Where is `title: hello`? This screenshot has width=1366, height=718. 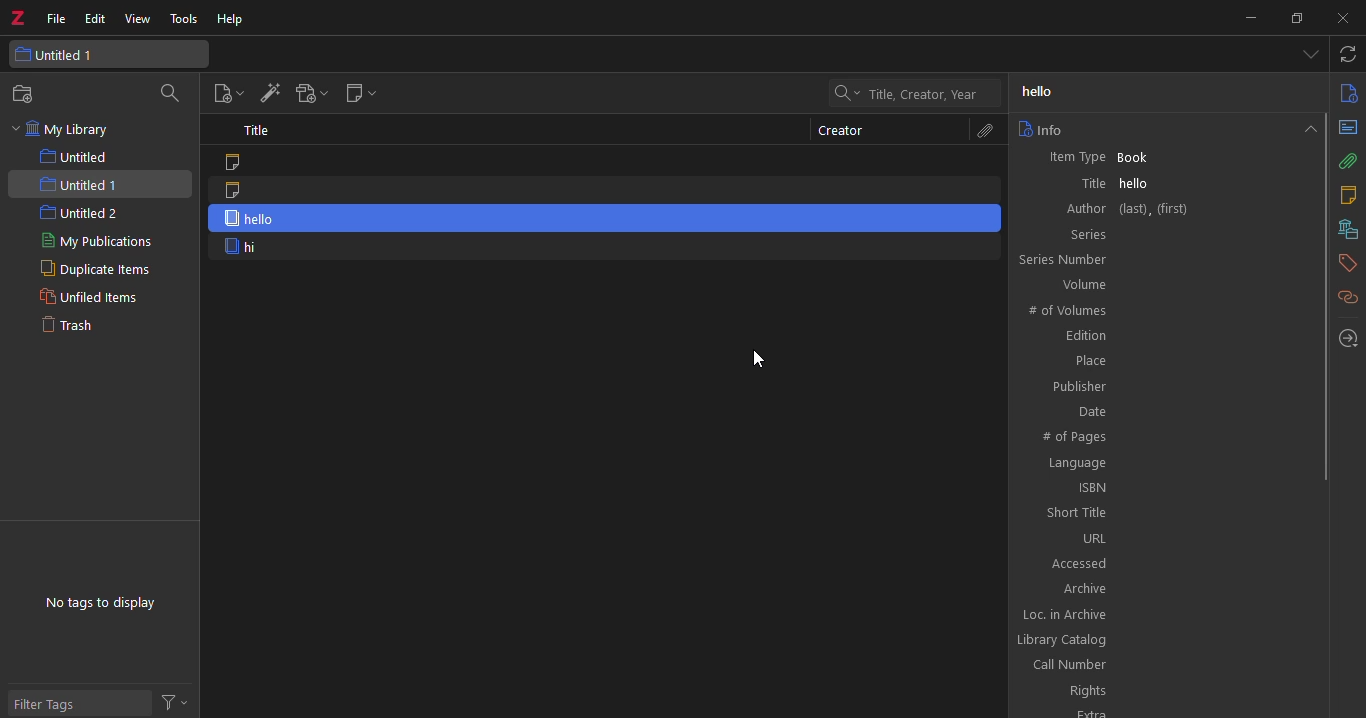 title: hello is located at coordinates (1163, 183).